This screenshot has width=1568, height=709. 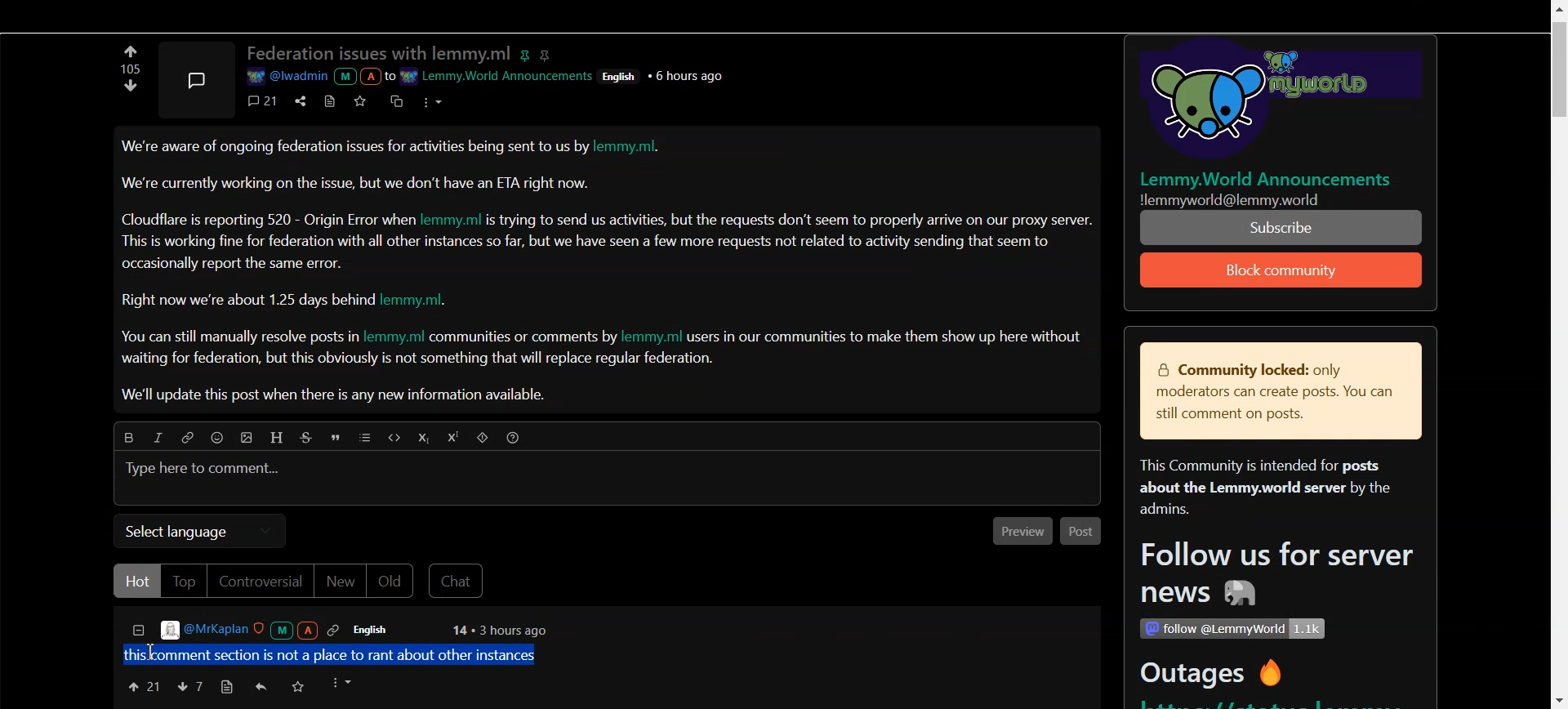 I want to click on You can still manually resolve posts in, so click(x=235, y=339).